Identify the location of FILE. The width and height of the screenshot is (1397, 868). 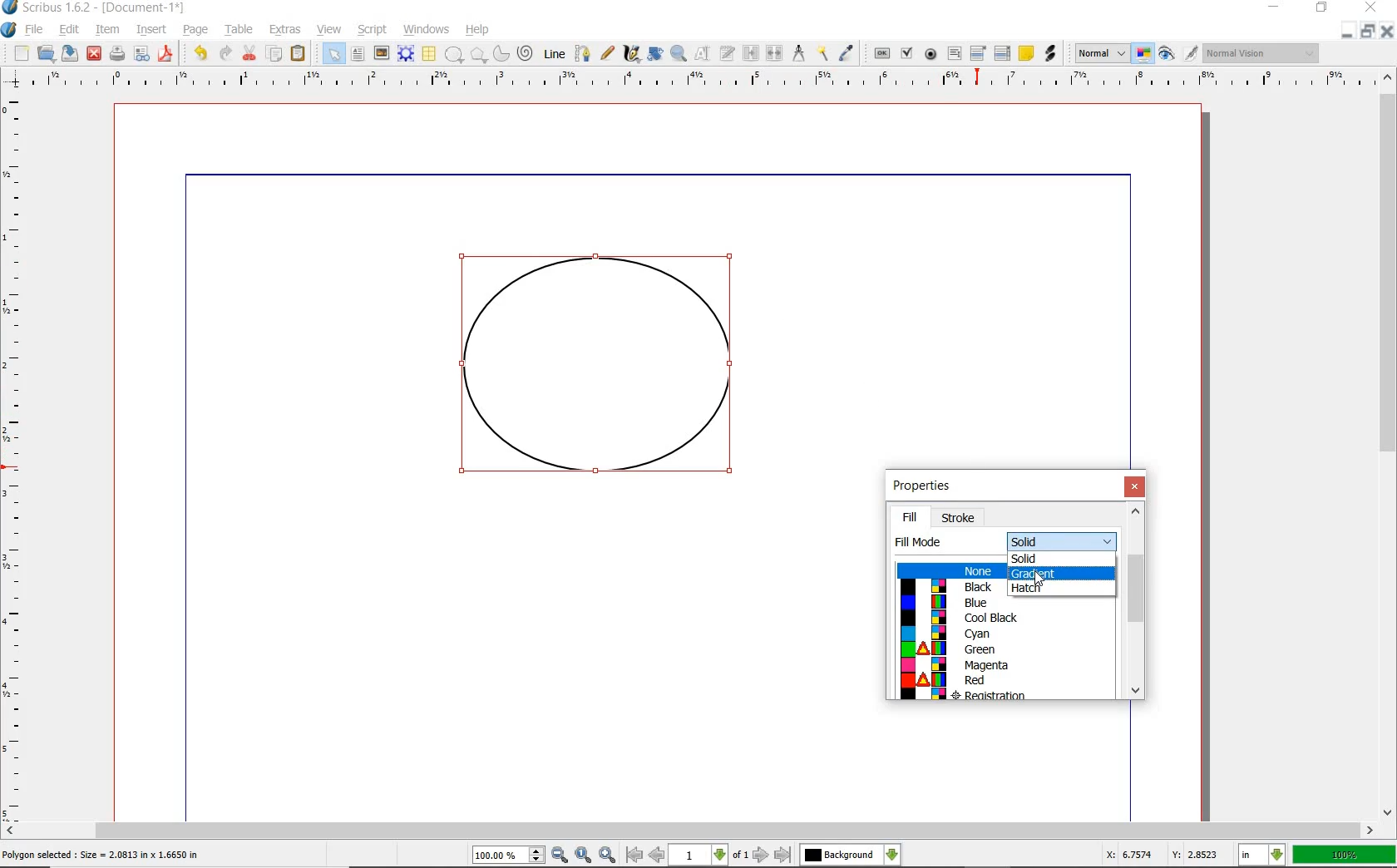
(36, 29).